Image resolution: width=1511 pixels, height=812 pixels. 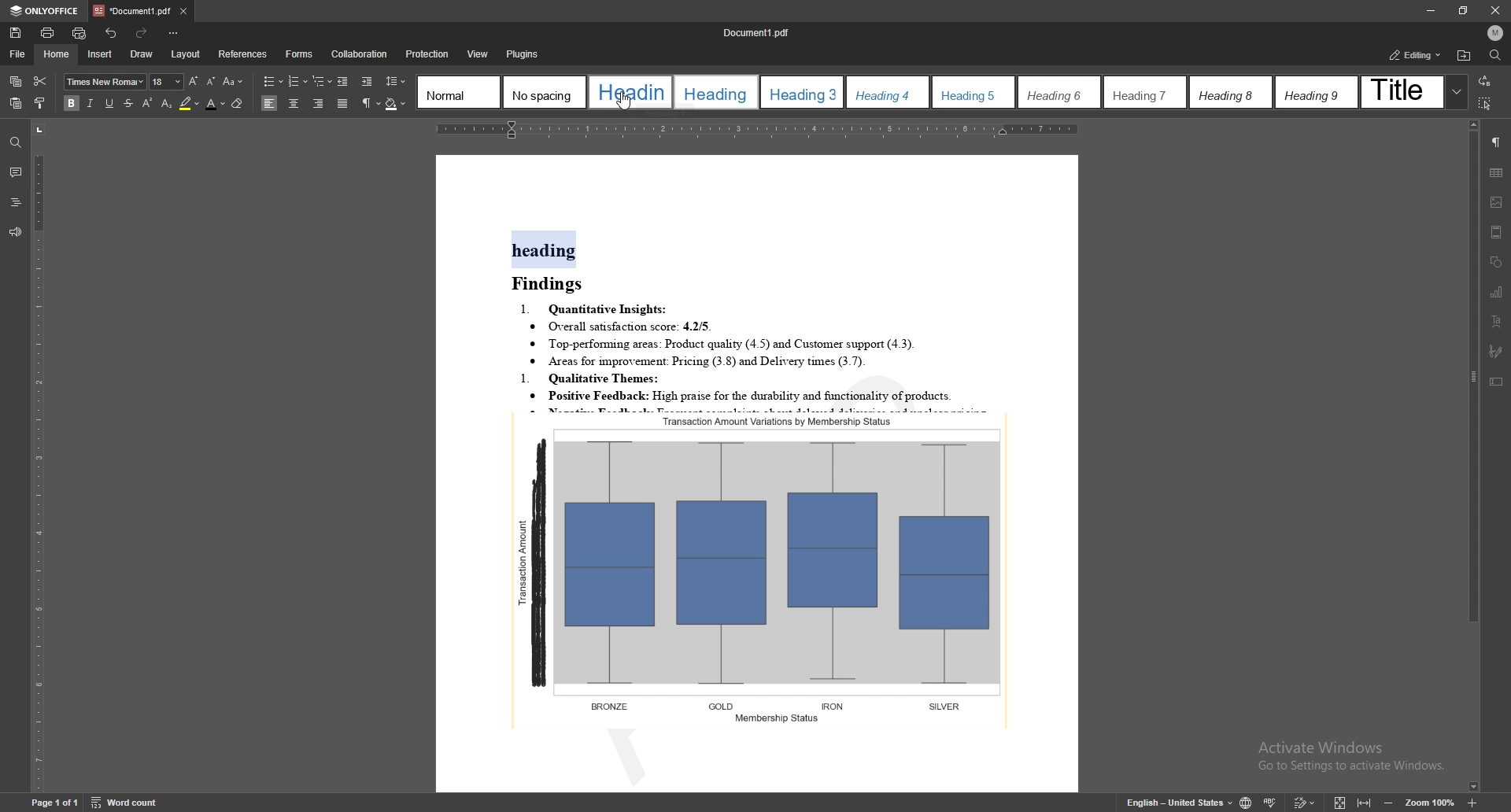 I want to click on horizontal scale, so click(x=754, y=128).